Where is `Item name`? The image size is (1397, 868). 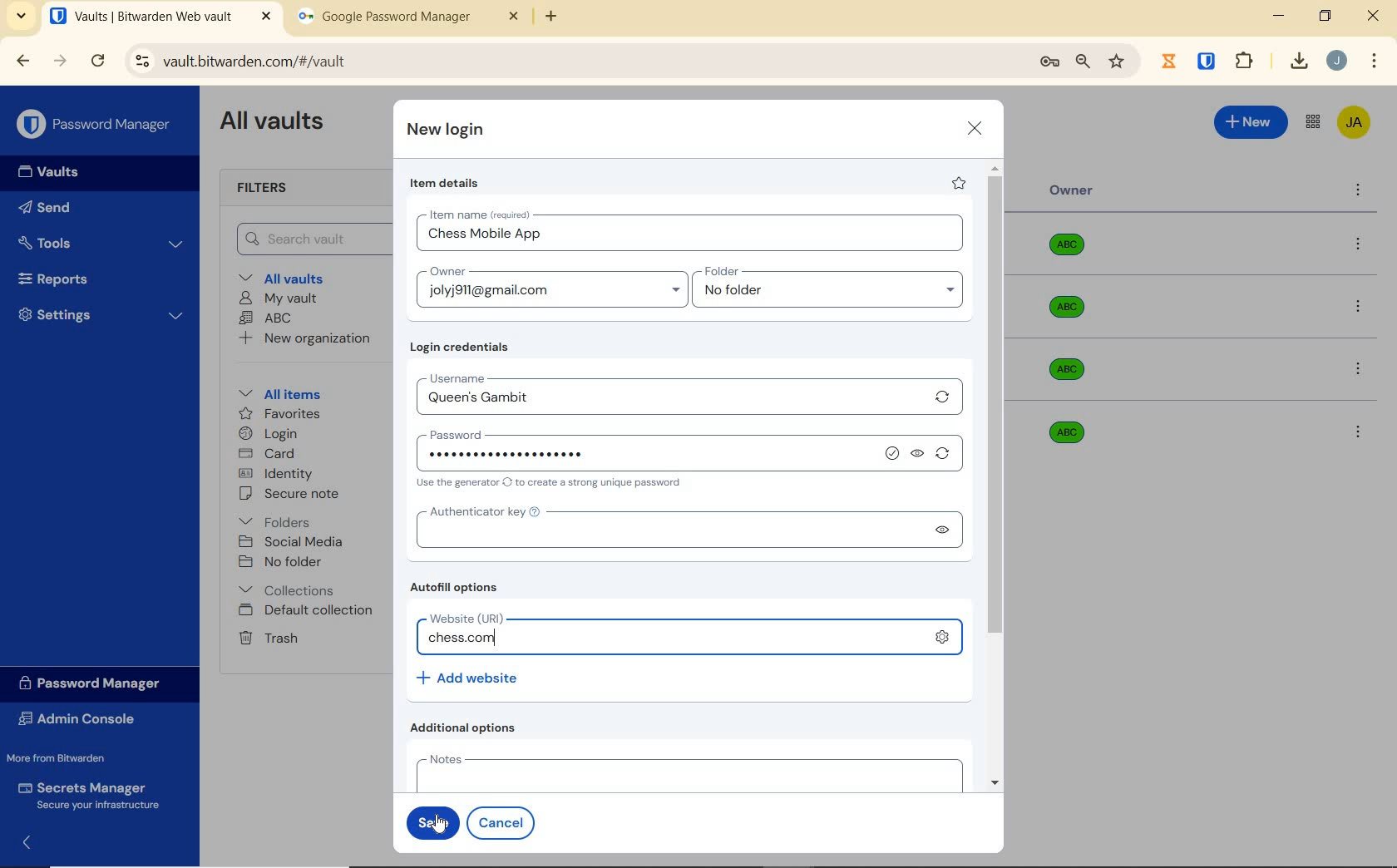 Item name is located at coordinates (481, 215).